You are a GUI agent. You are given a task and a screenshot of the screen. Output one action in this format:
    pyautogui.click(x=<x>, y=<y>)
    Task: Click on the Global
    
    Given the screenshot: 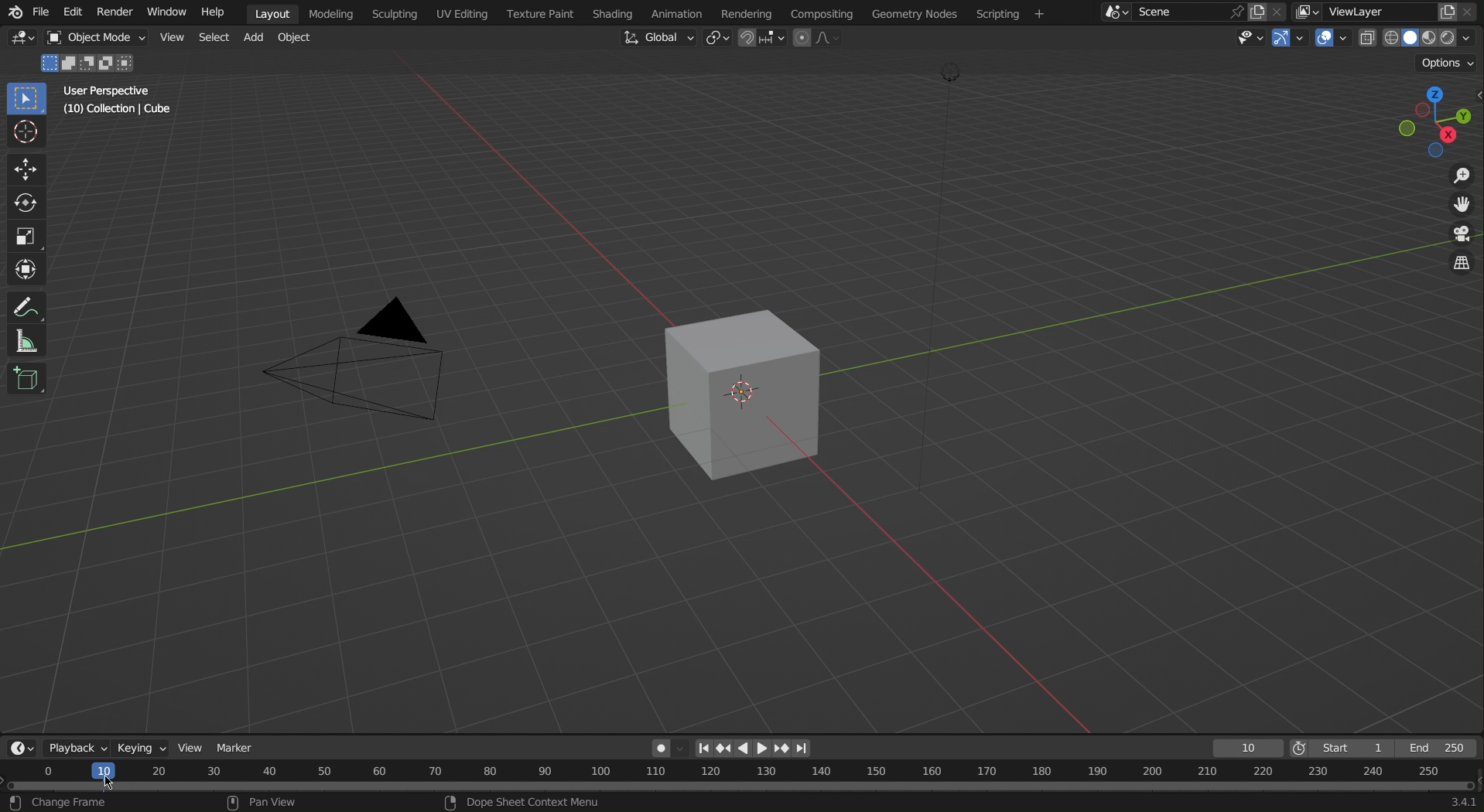 What is the action you would take?
    pyautogui.click(x=661, y=41)
    